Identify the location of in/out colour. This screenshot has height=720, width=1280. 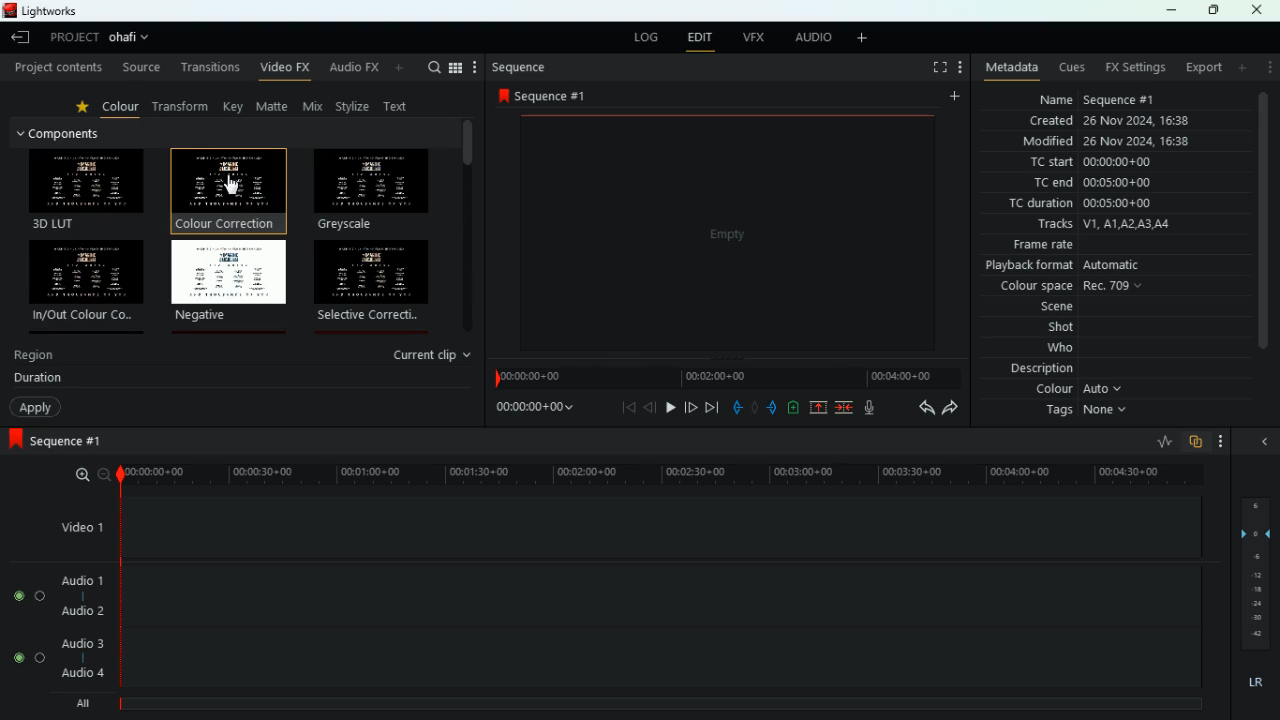
(88, 280).